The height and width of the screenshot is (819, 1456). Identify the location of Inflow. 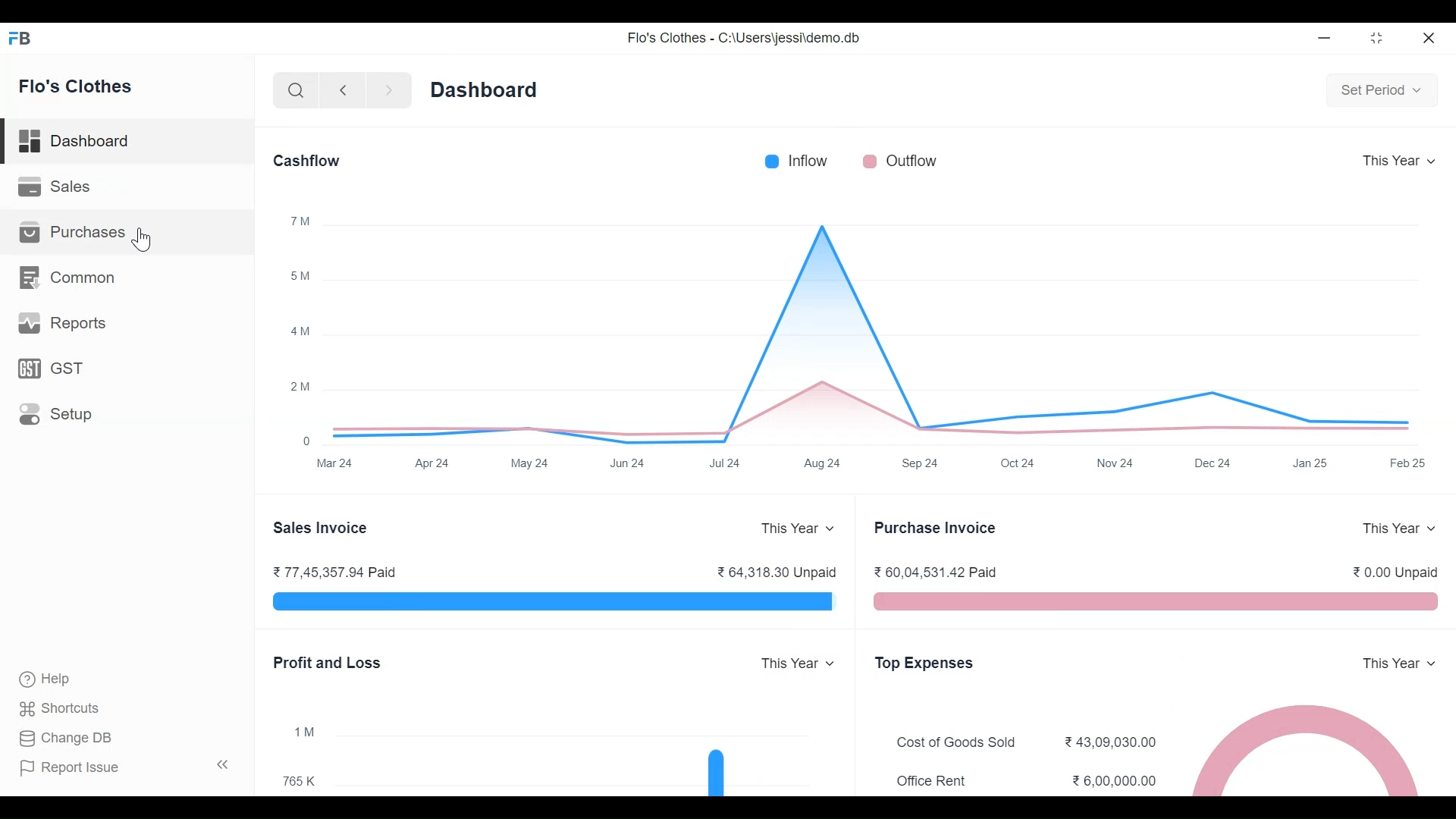
(811, 161).